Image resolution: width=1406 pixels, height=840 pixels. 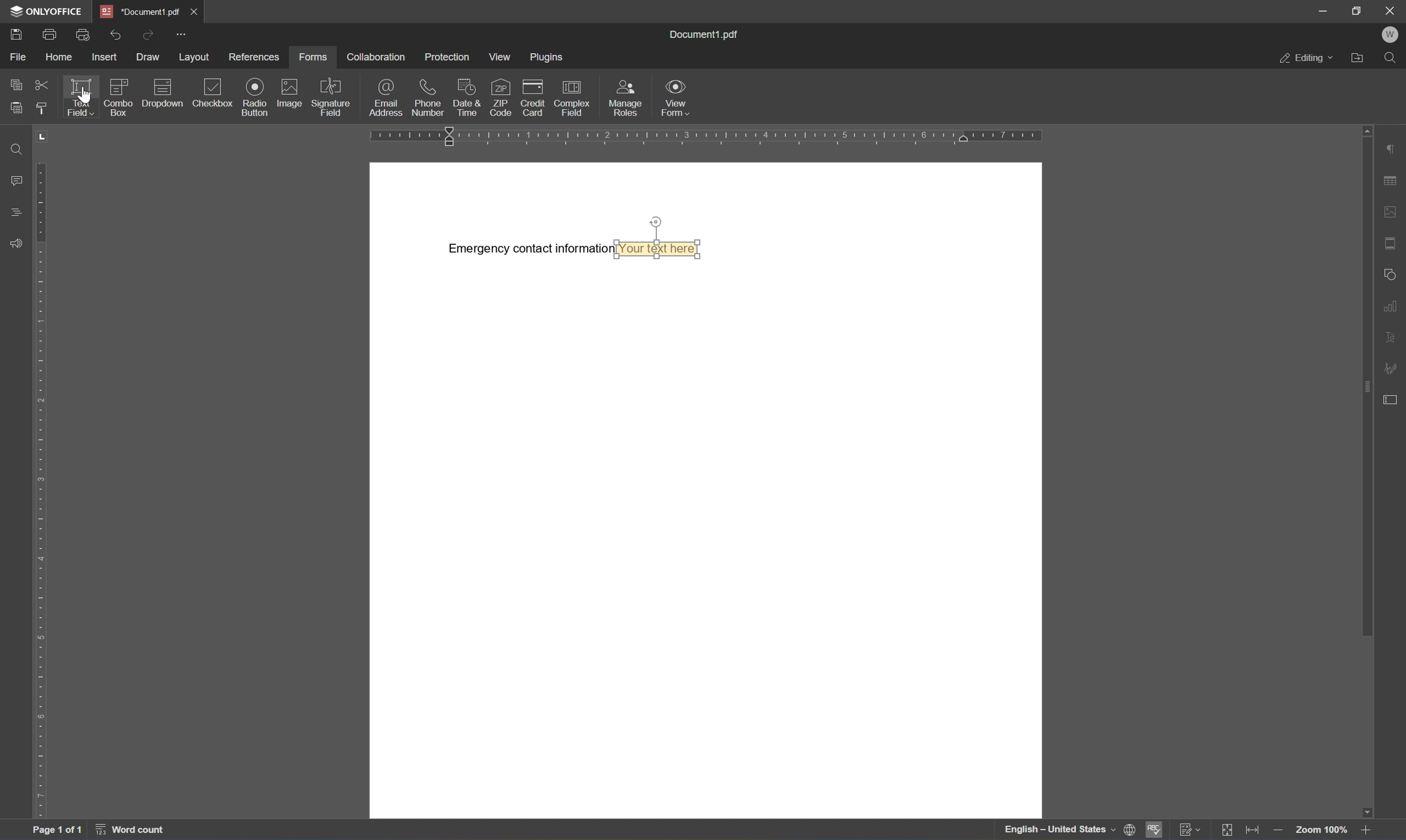 I want to click on find, so click(x=18, y=149).